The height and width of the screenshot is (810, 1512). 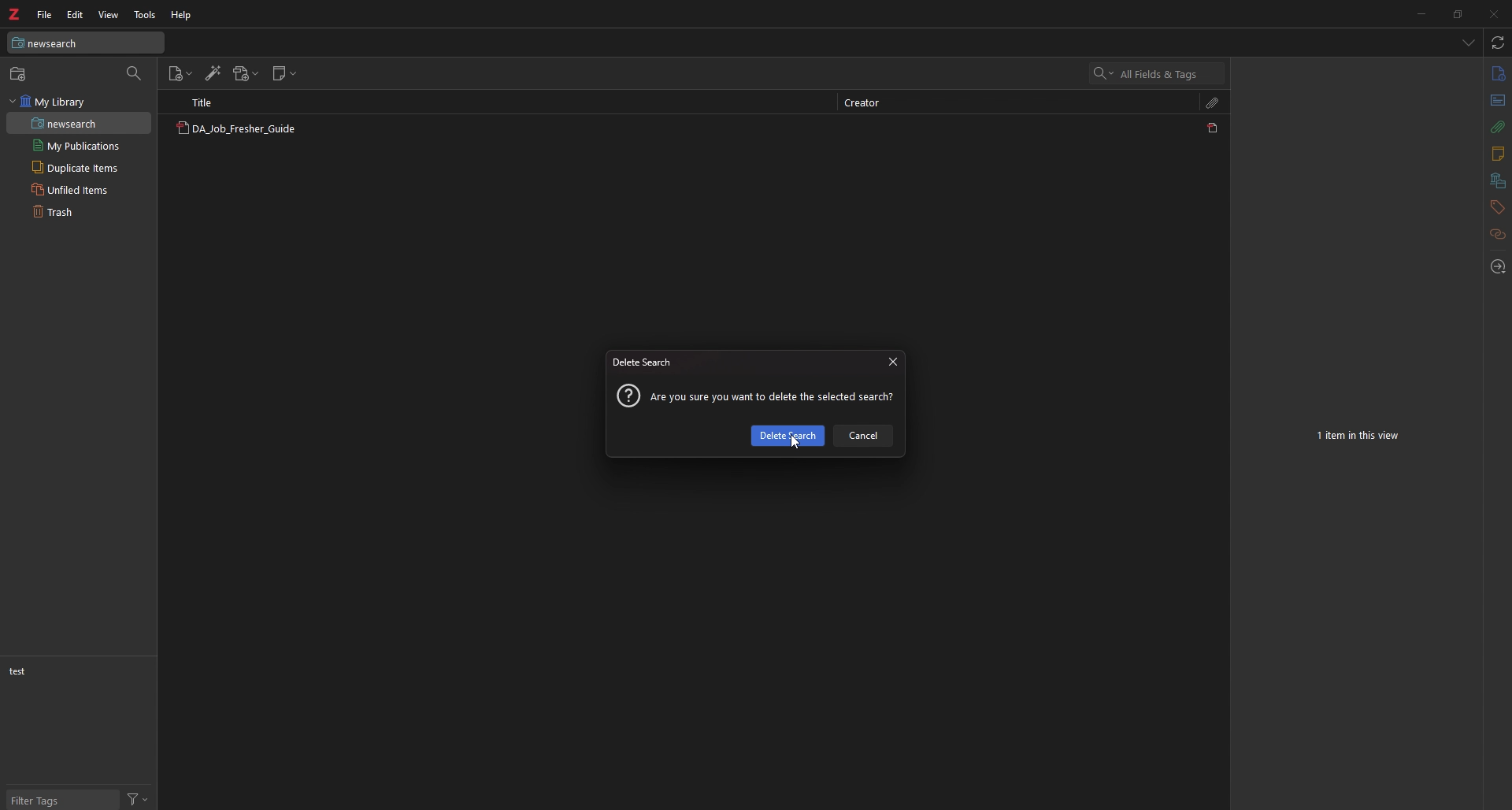 I want to click on restore, so click(x=1460, y=14).